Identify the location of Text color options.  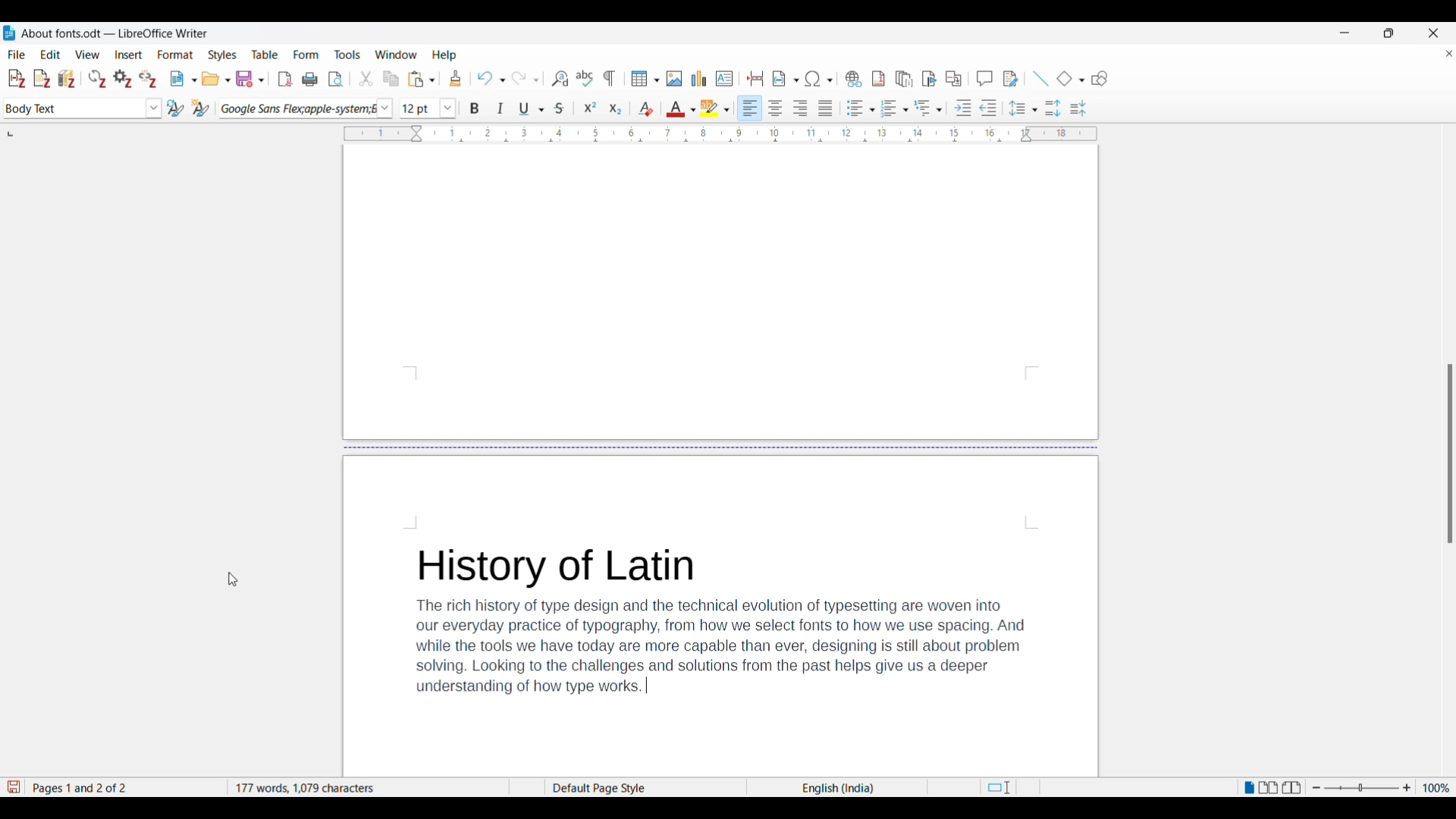
(680, 109).